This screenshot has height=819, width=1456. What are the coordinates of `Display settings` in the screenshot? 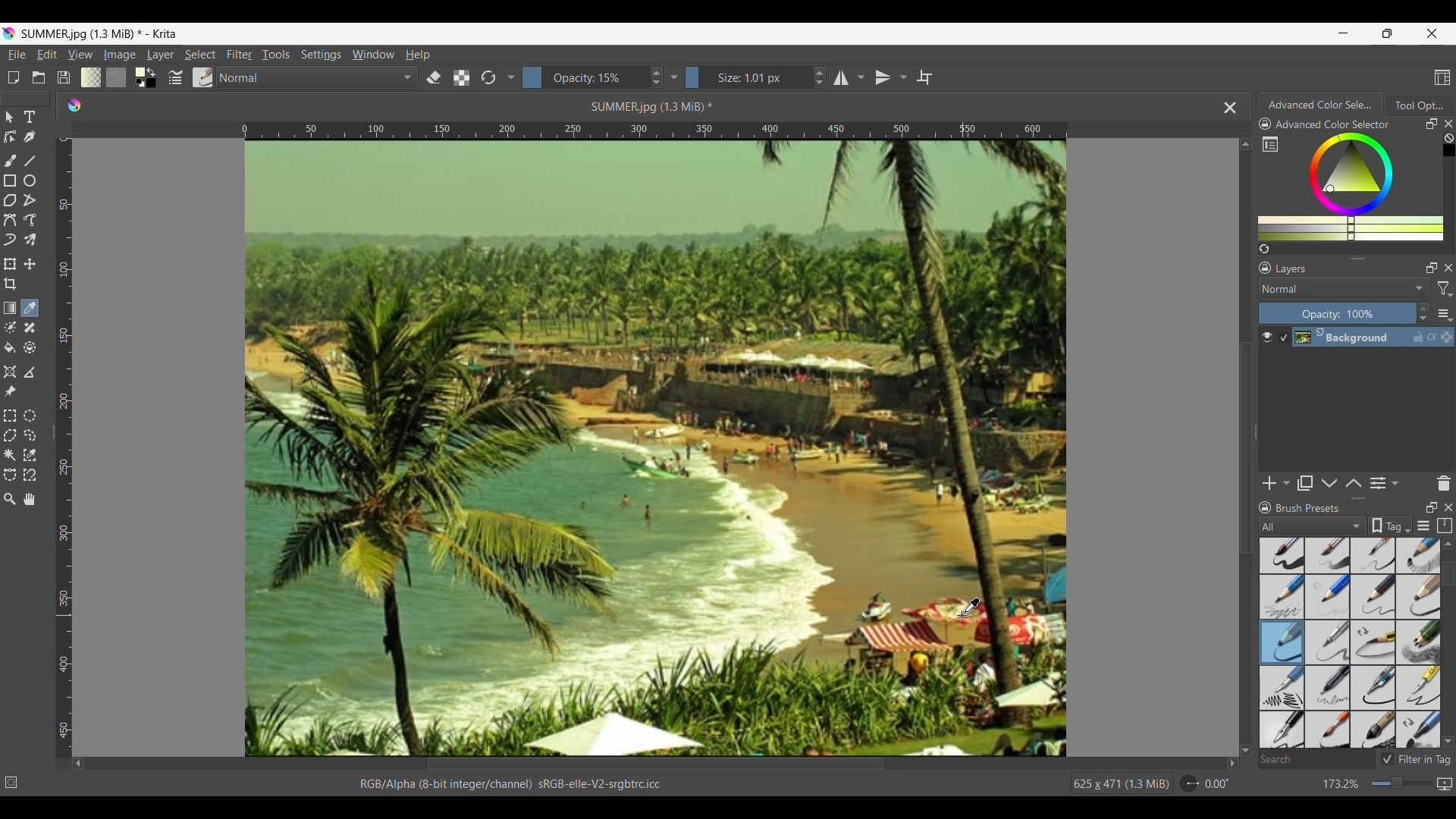 It's located at (1424, 526).